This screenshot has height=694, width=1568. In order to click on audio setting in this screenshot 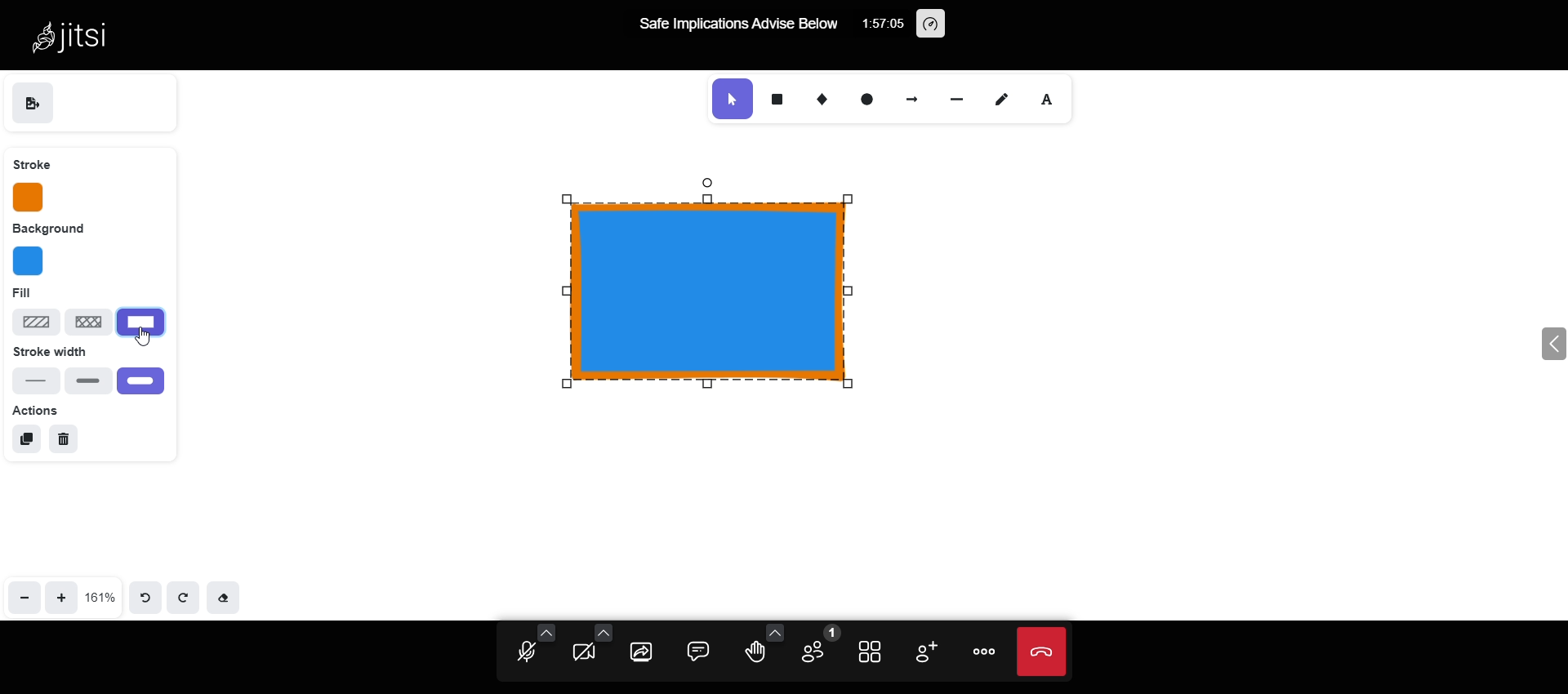, I will do `click(546, 631)`.